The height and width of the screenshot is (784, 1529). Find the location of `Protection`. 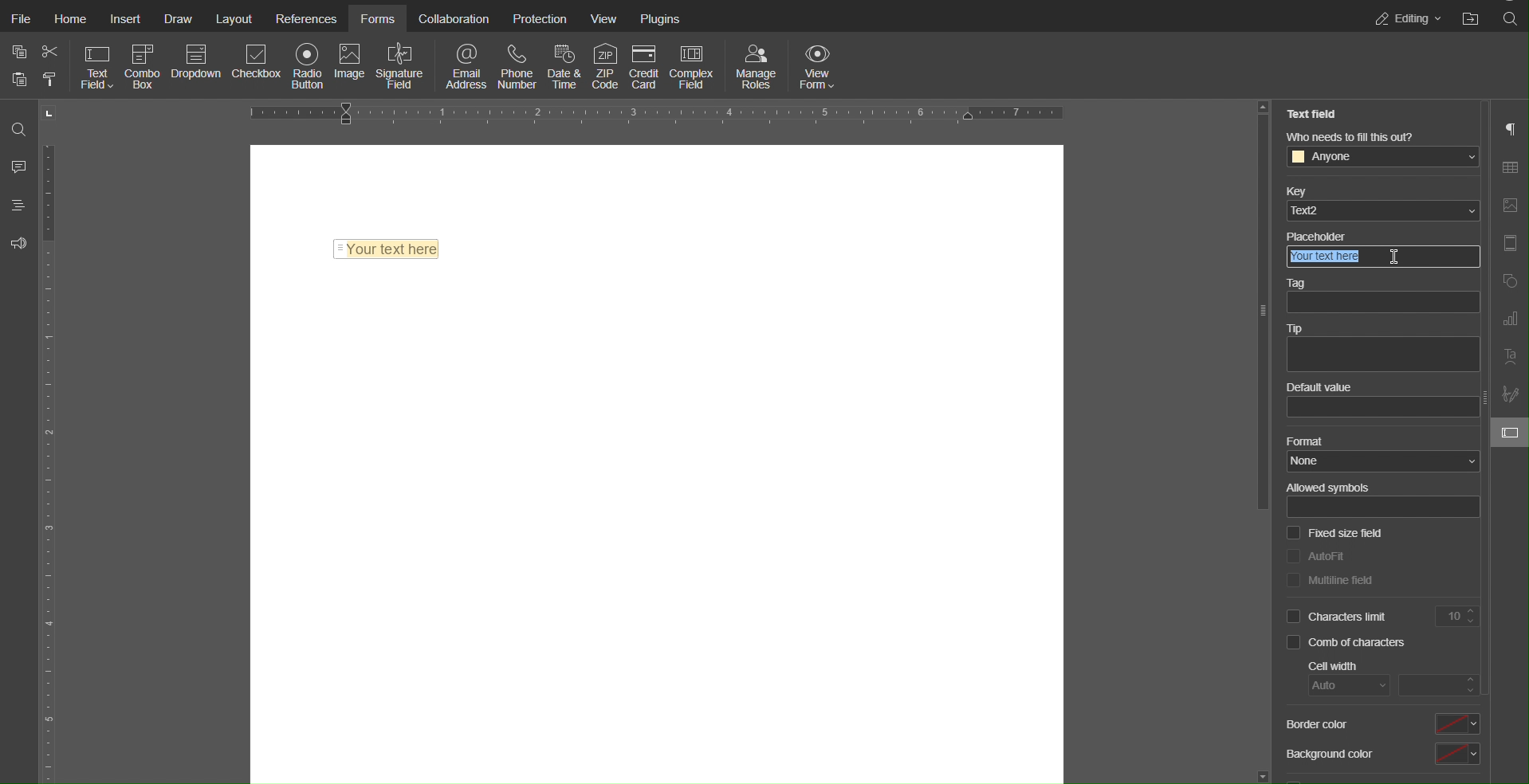

Protection is located at coordinates (538, 20).